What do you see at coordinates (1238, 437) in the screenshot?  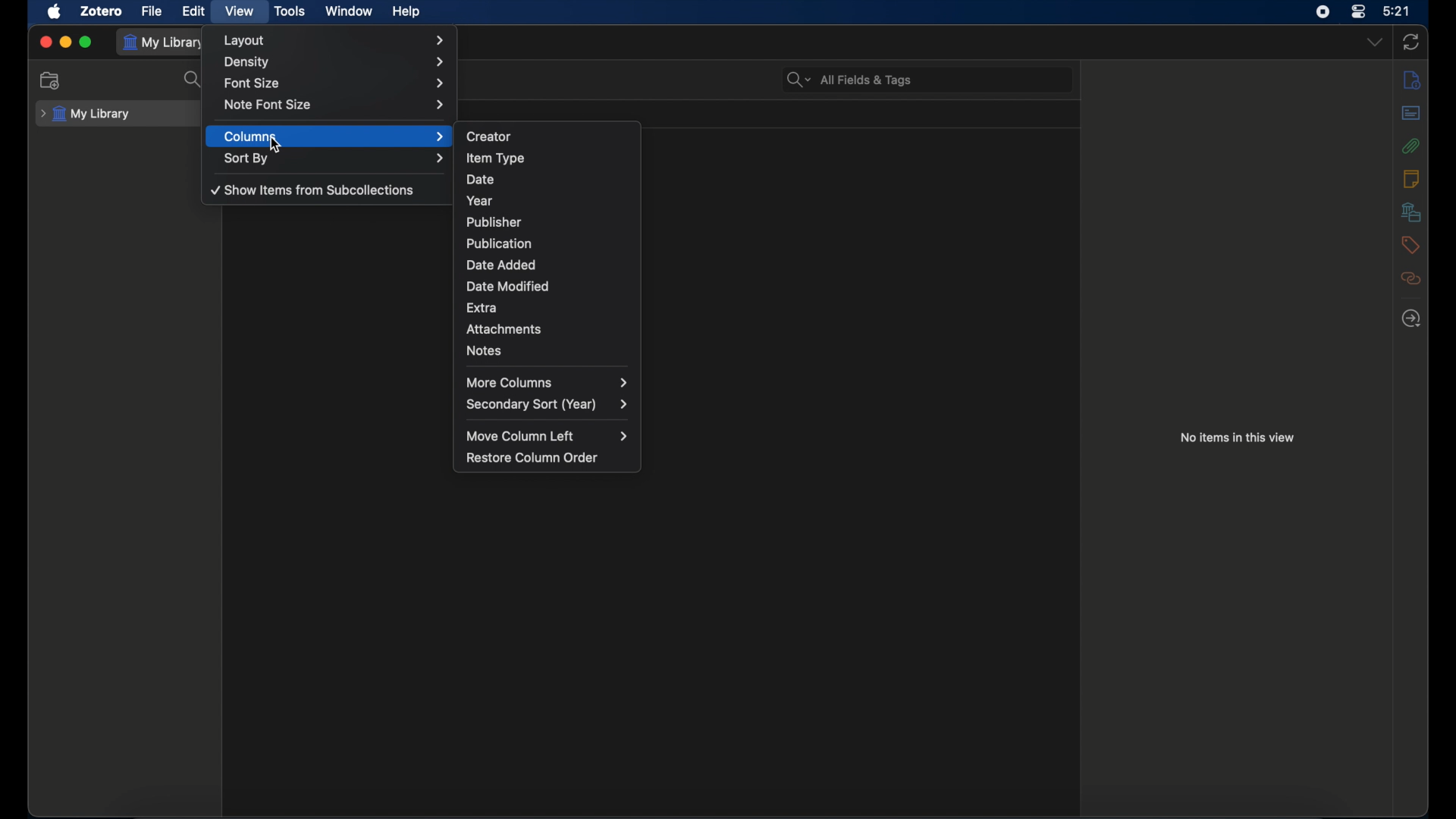 I see `no items in this view` at bounding box center [1238, 437].